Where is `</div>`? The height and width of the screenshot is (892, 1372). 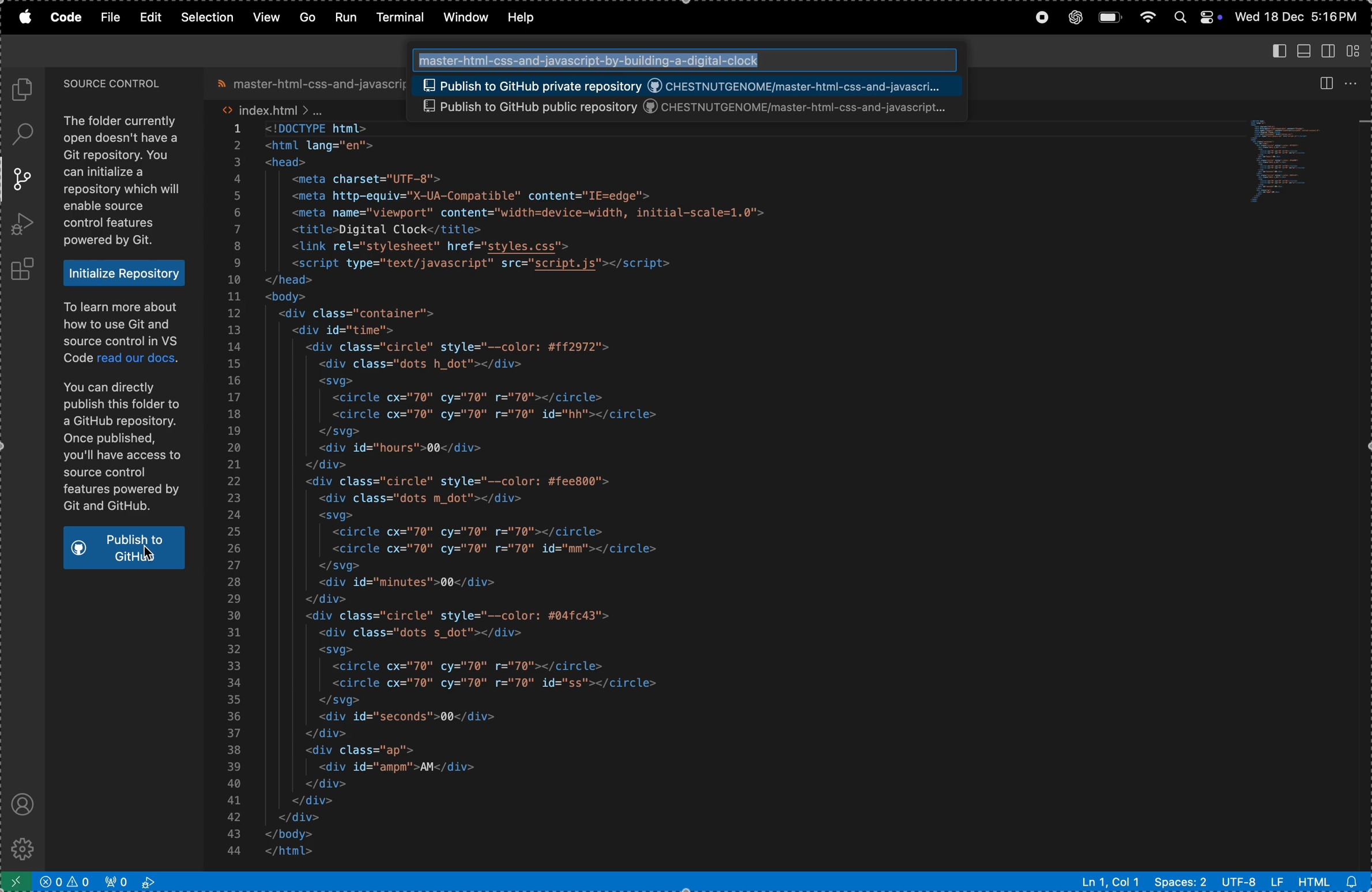
</div> is located at coordinates (326, 734).